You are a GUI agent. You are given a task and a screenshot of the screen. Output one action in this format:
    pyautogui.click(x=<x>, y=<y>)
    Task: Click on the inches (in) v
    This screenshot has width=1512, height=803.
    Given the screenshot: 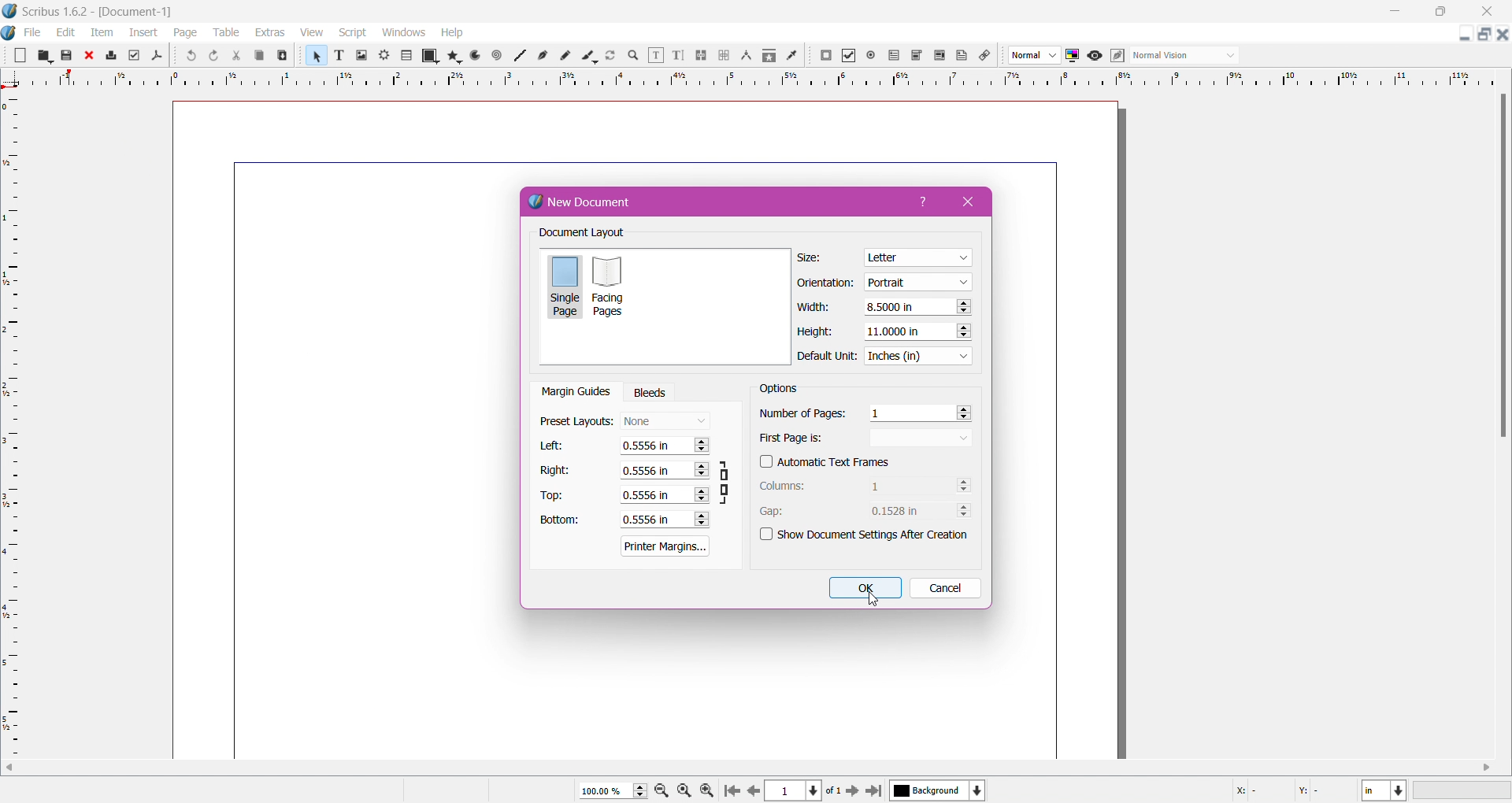 What is the action you would take?
    pyautogui.click(x=916, y=356)
    